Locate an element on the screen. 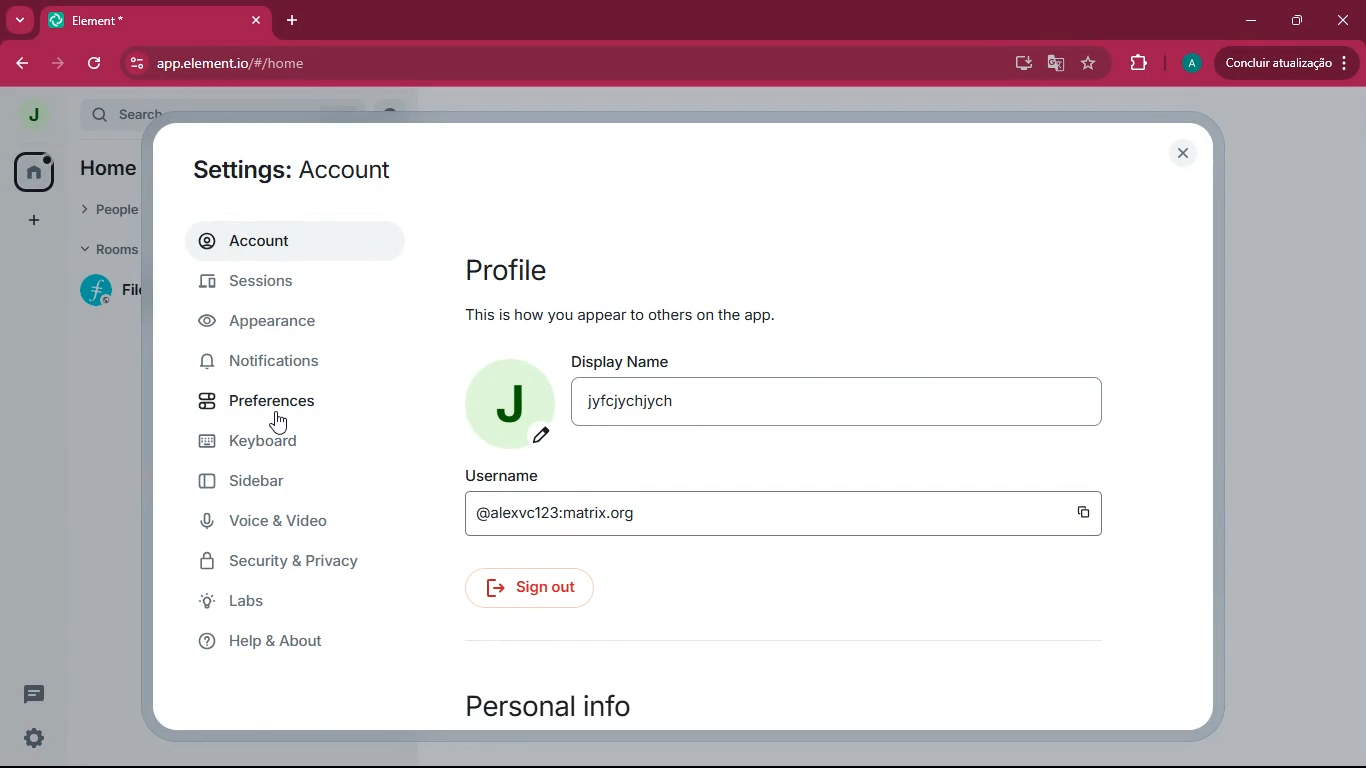 This screenshot has width=1366, height=768. comments is located at coordinates (38, 694).